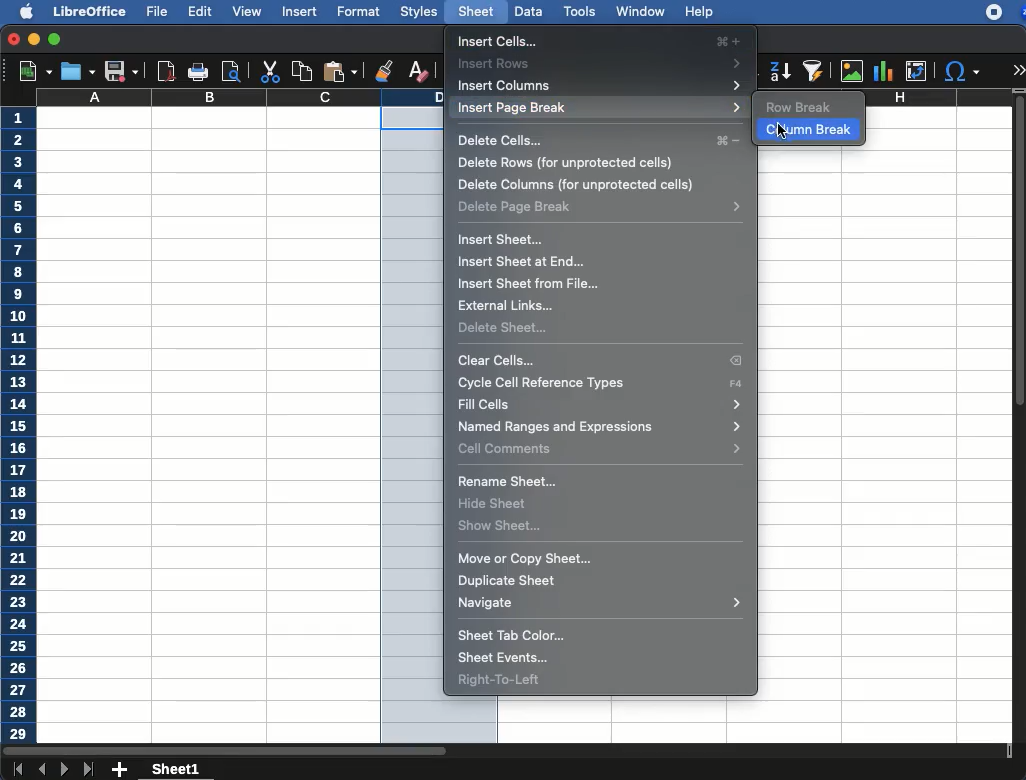  Describe the element at coordinates (35, 39) in the screenshot. I see `minimize` at that location.